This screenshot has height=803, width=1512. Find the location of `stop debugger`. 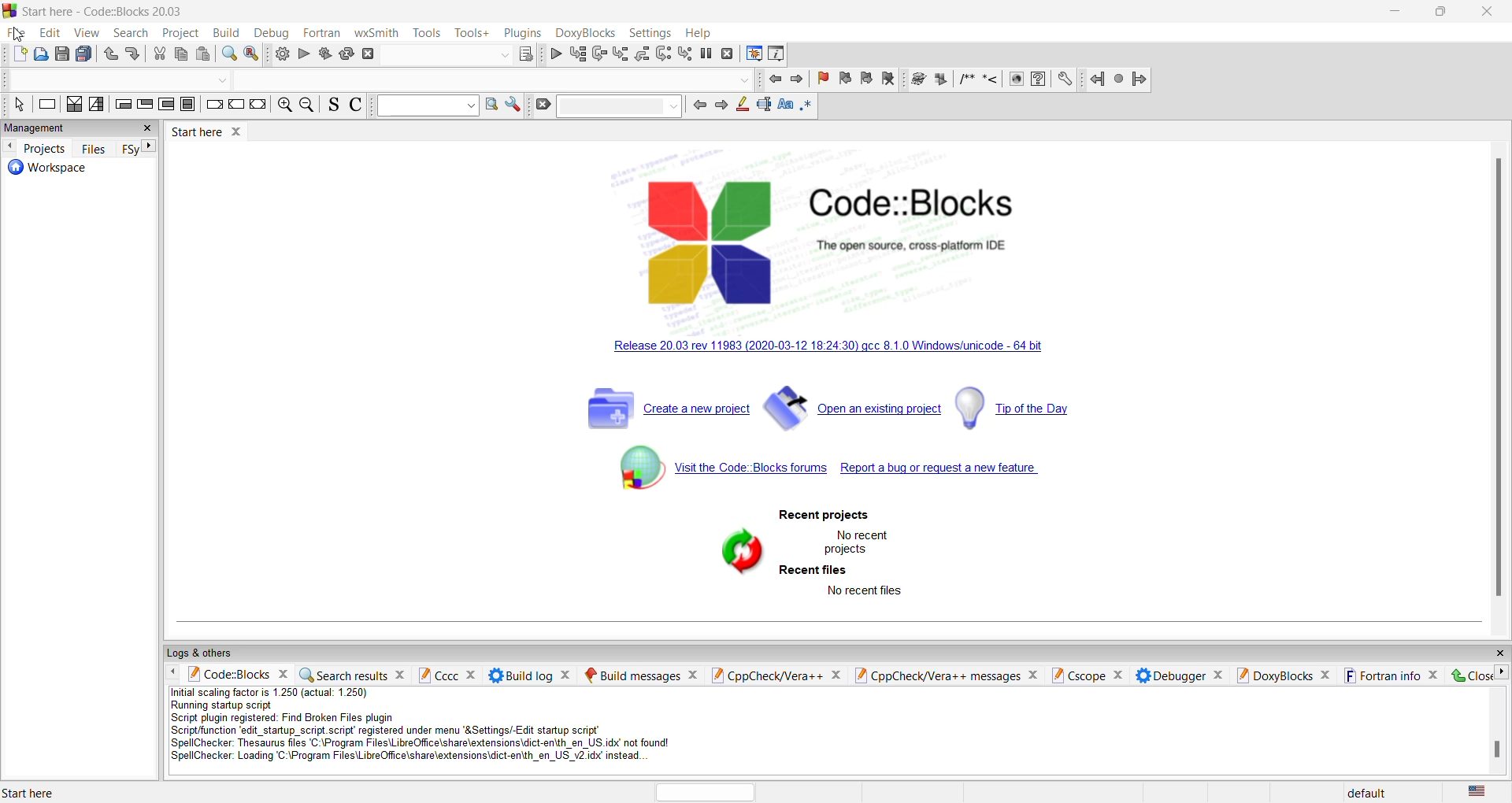

stop debugger is located at coordinates (728, 54).